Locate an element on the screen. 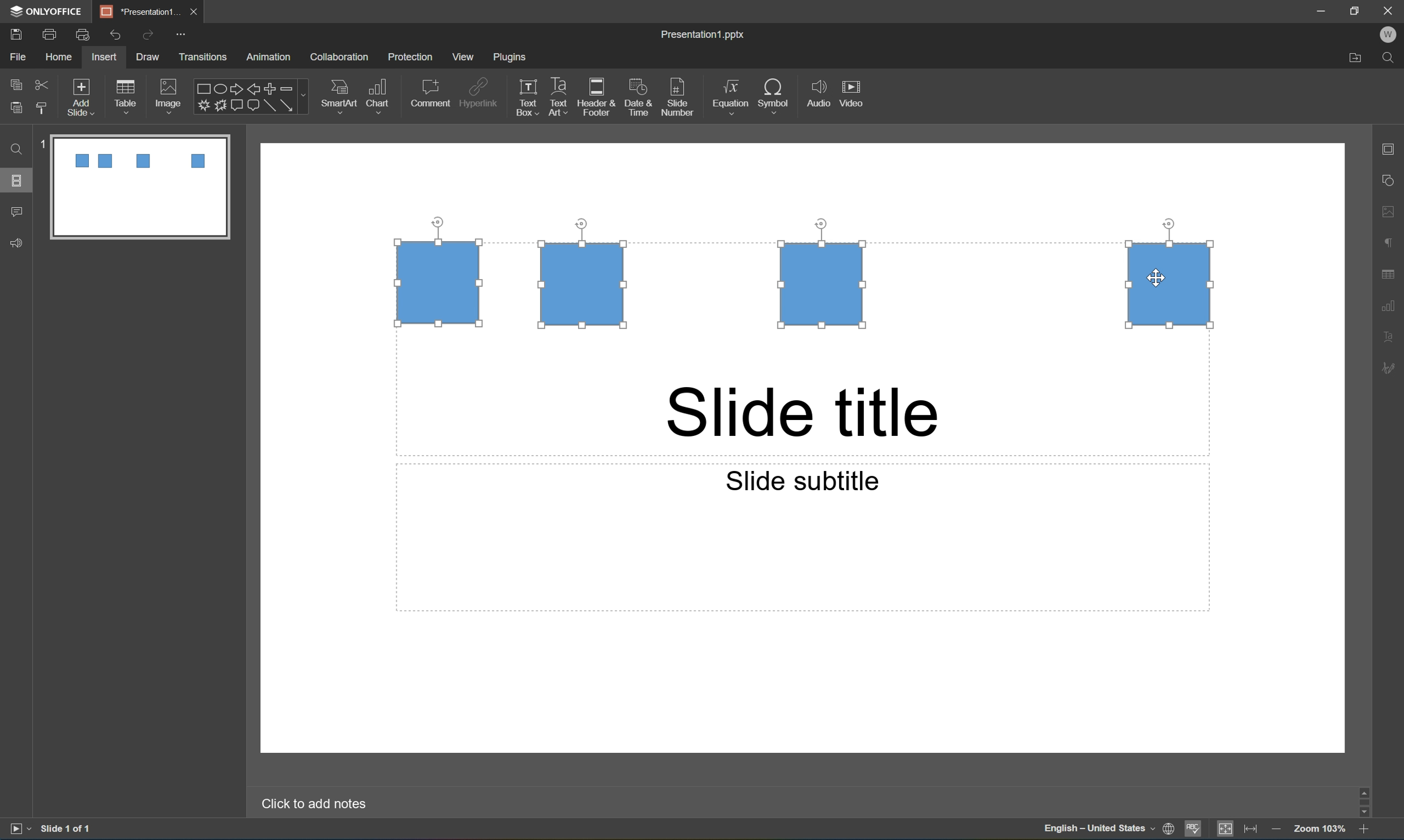 The width and height of the screenshot is (1404, 840). Find is located at coordinates (17, 150).